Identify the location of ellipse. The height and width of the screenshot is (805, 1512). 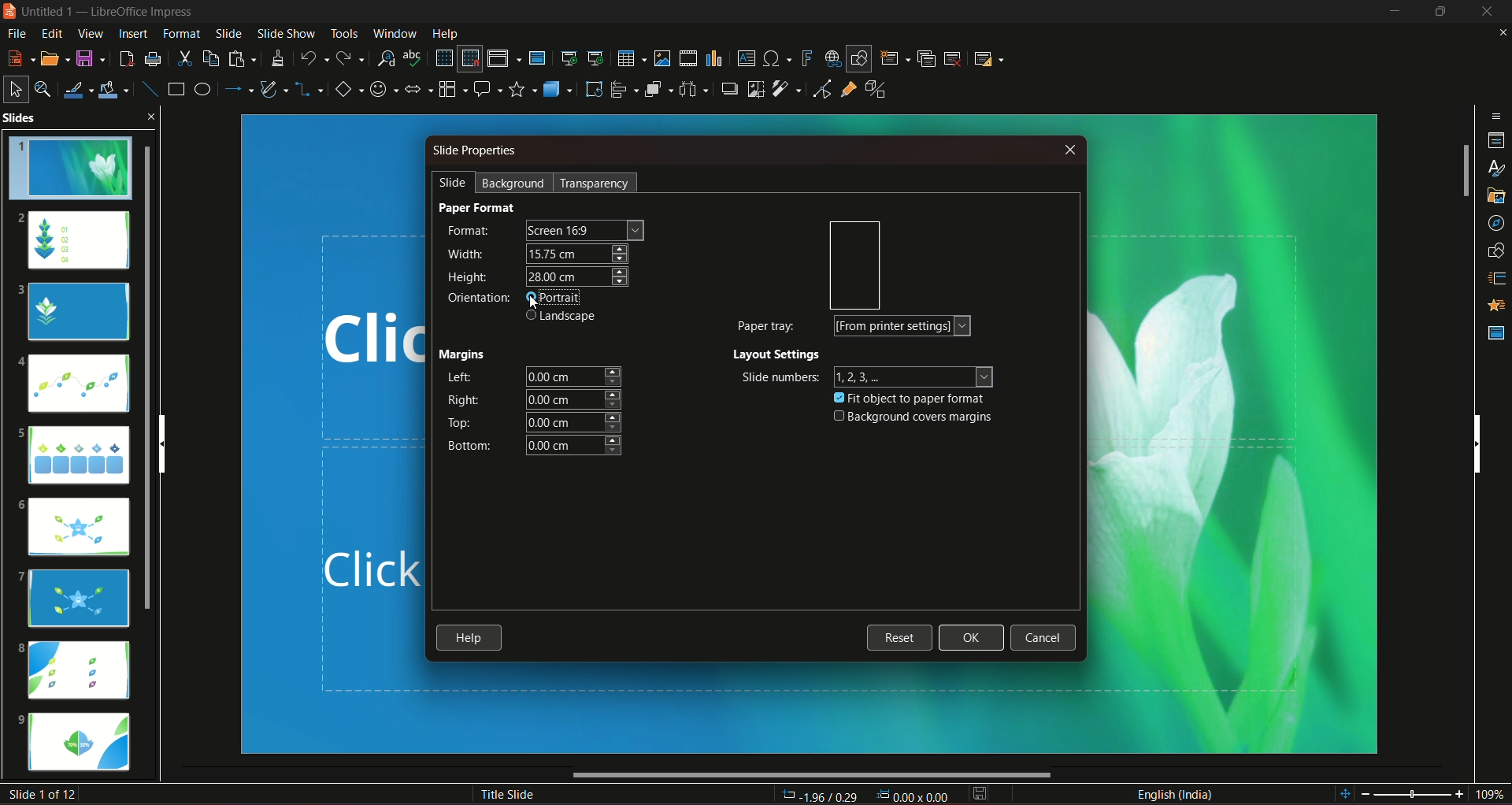
(202, 89).